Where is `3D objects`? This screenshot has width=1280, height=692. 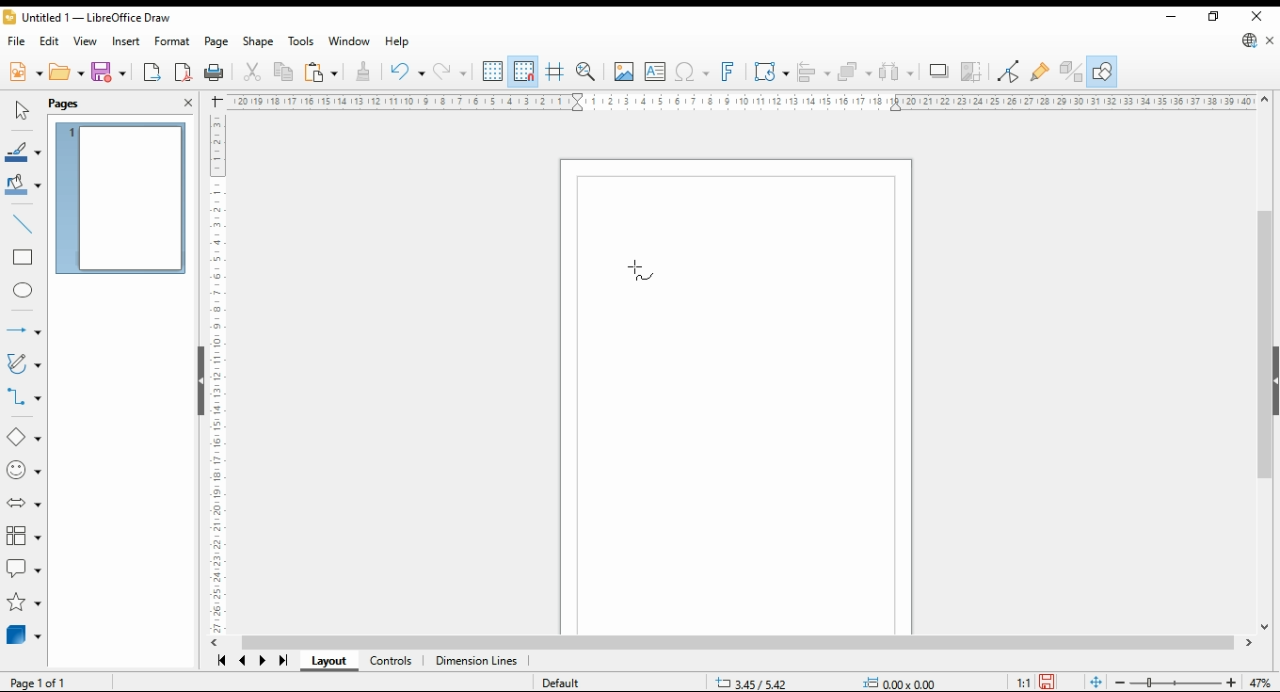
3D objects is located at coordinates (22, 635).